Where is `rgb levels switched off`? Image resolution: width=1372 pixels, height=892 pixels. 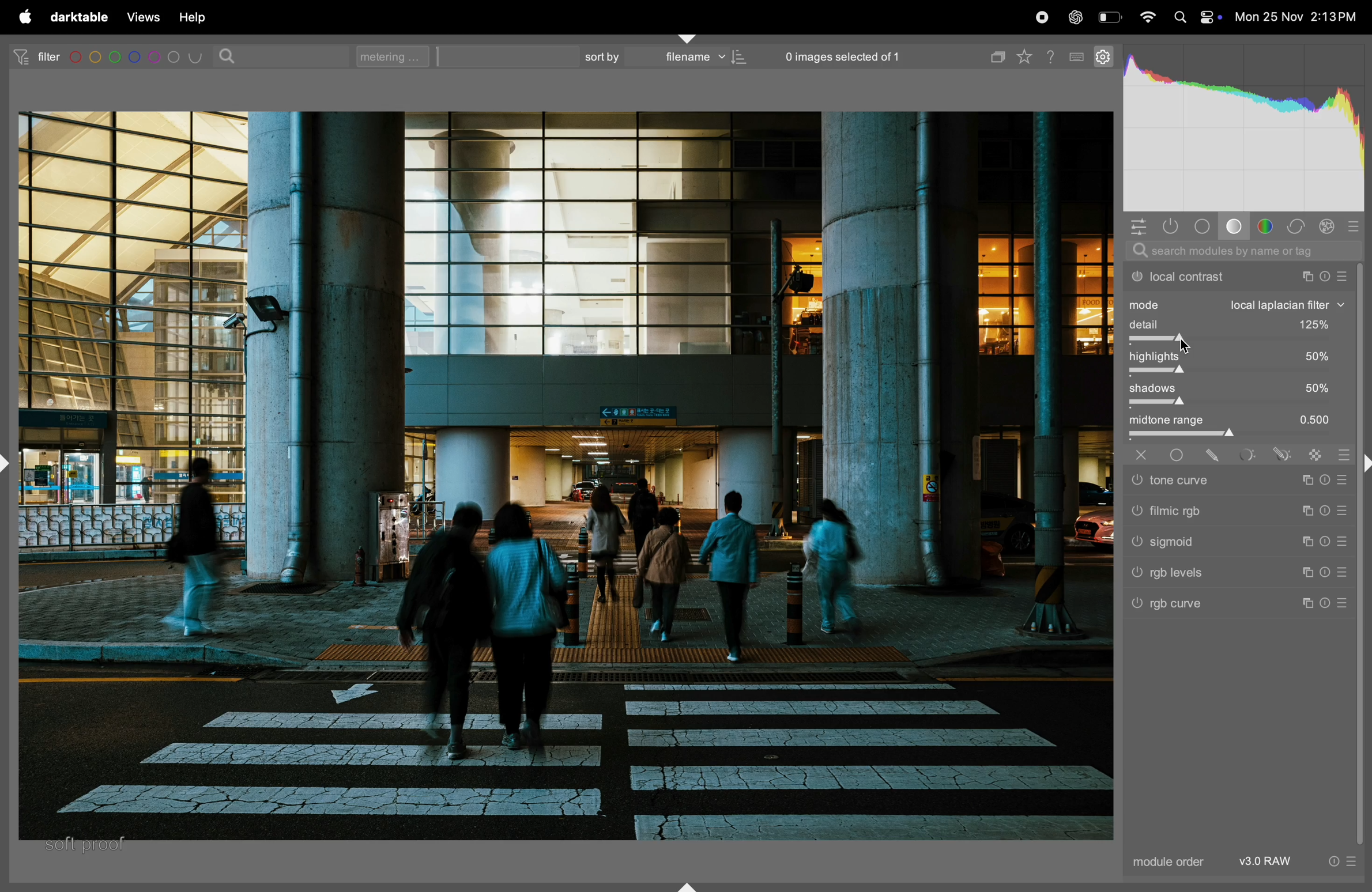 rgb levels switched off is located at coordinates (1136, 574).